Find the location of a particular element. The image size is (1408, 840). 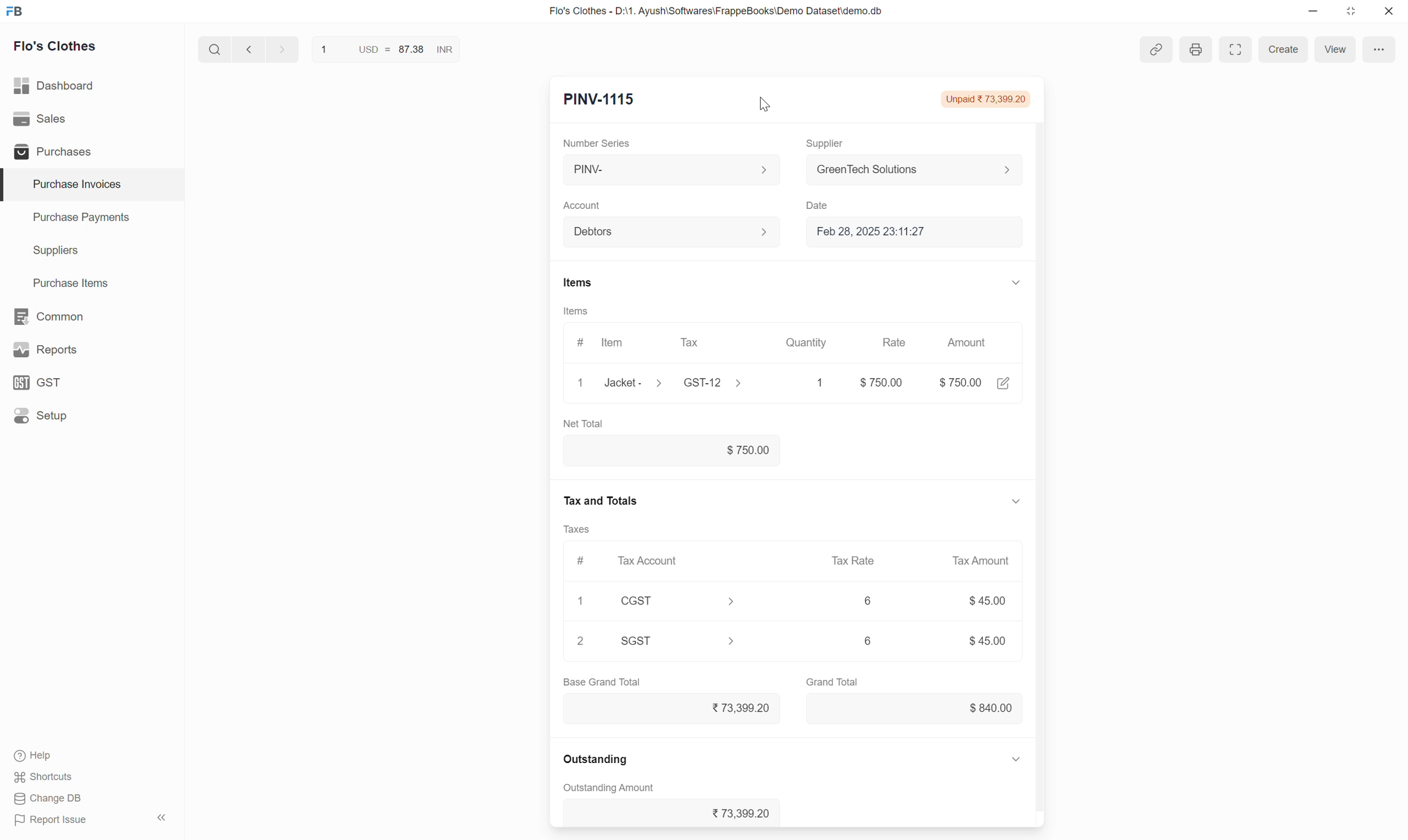

Edit is located at coordinates (1004, 383).